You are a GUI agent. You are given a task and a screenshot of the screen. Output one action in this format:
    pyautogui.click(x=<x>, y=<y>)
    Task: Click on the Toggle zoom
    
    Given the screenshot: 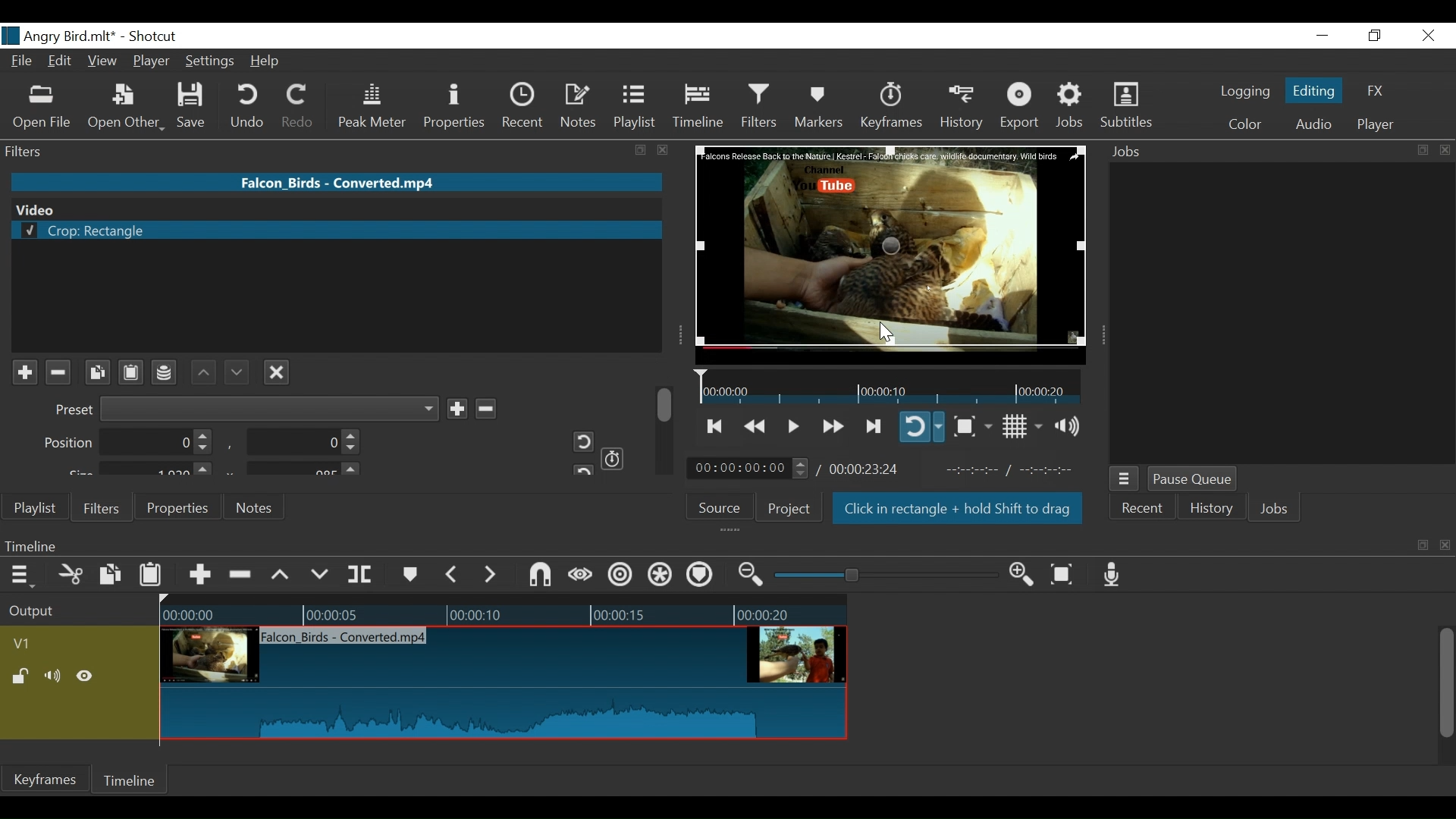 What is the action you would take?
    pyautogui.click(x=972, y=426)
    